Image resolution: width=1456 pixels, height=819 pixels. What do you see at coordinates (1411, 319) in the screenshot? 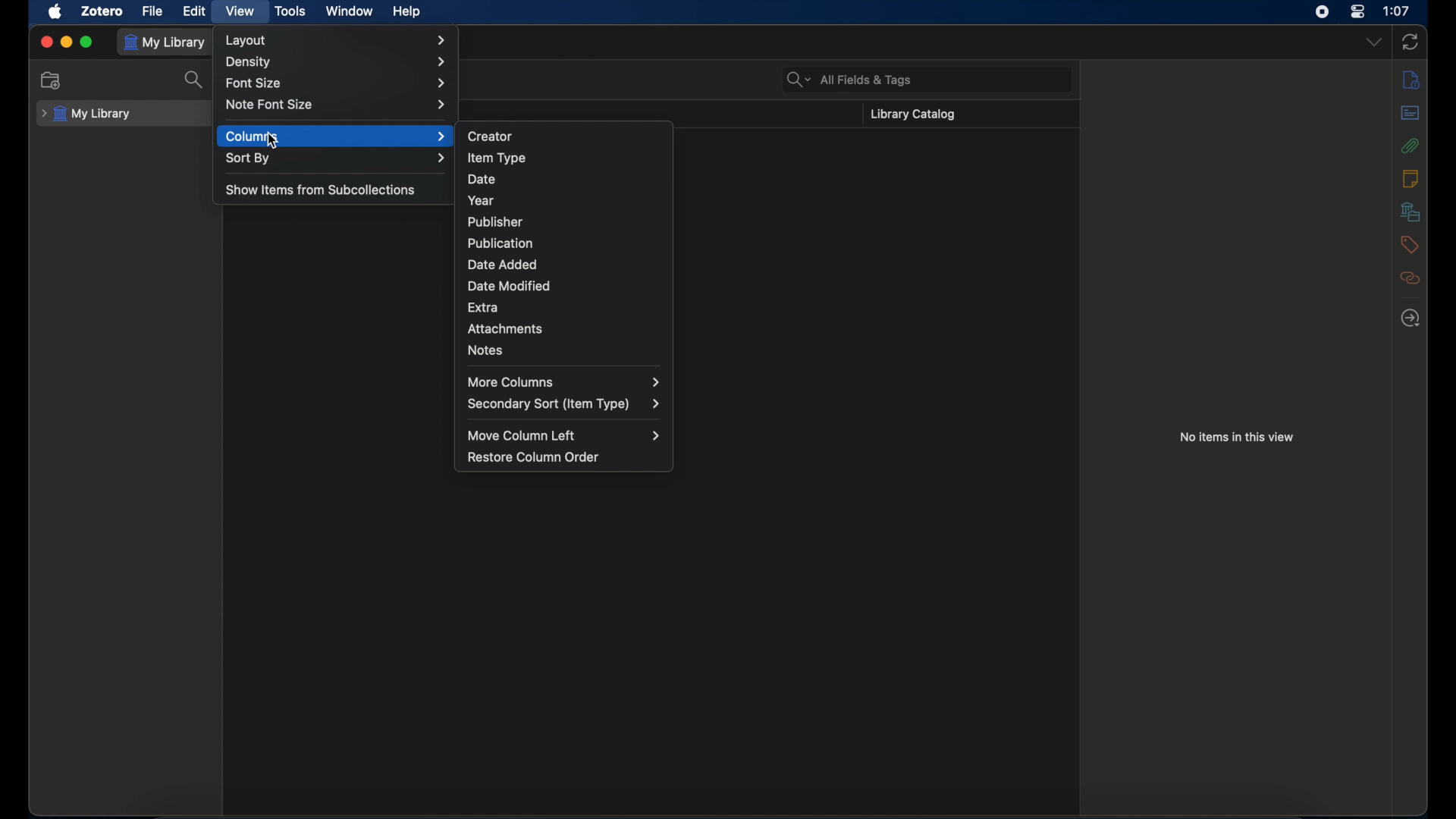
I see `locate` at bounding box center [1411, 319].